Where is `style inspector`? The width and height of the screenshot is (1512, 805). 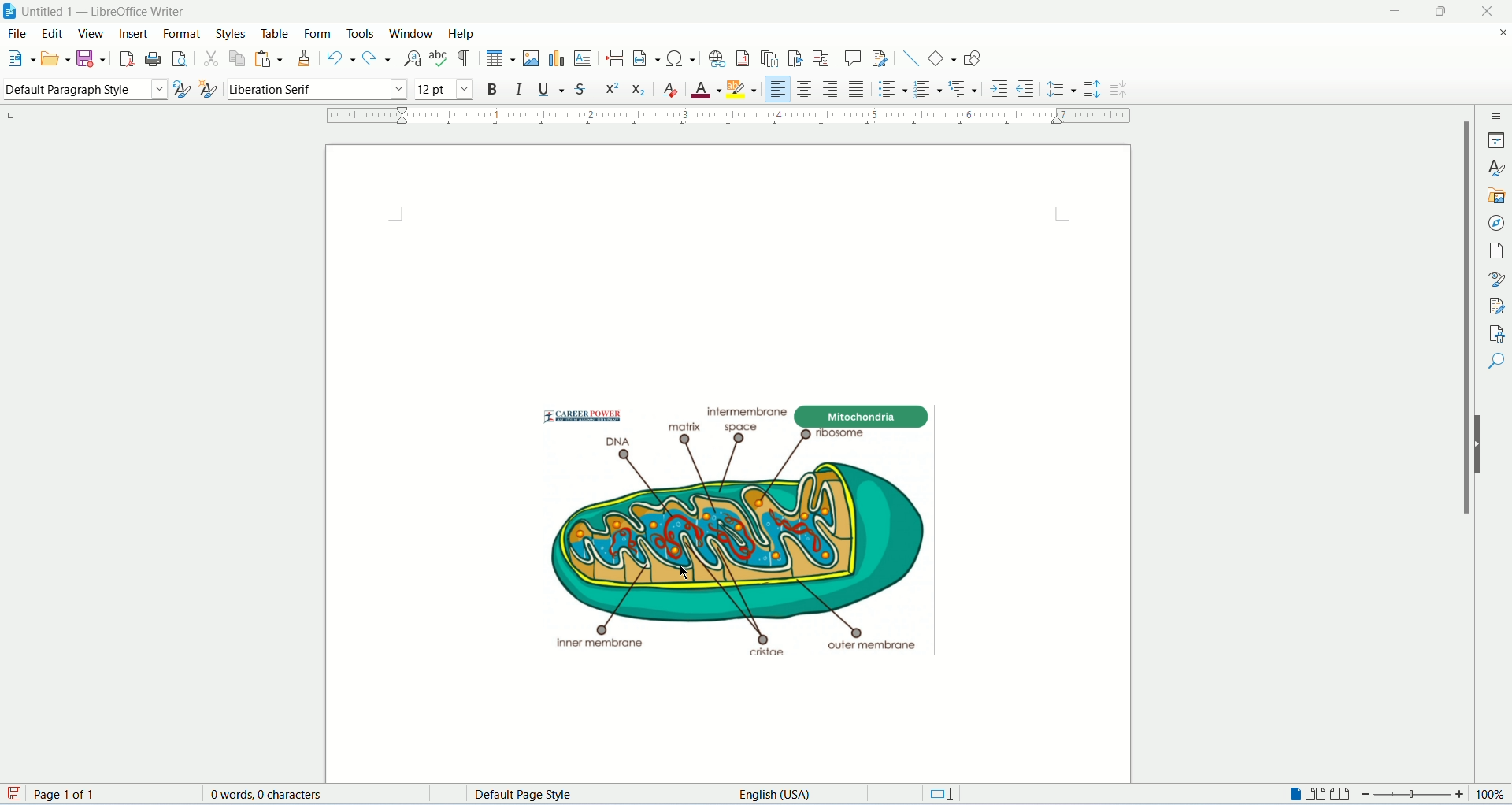
style inspector is located at coordinates (1498, 278).